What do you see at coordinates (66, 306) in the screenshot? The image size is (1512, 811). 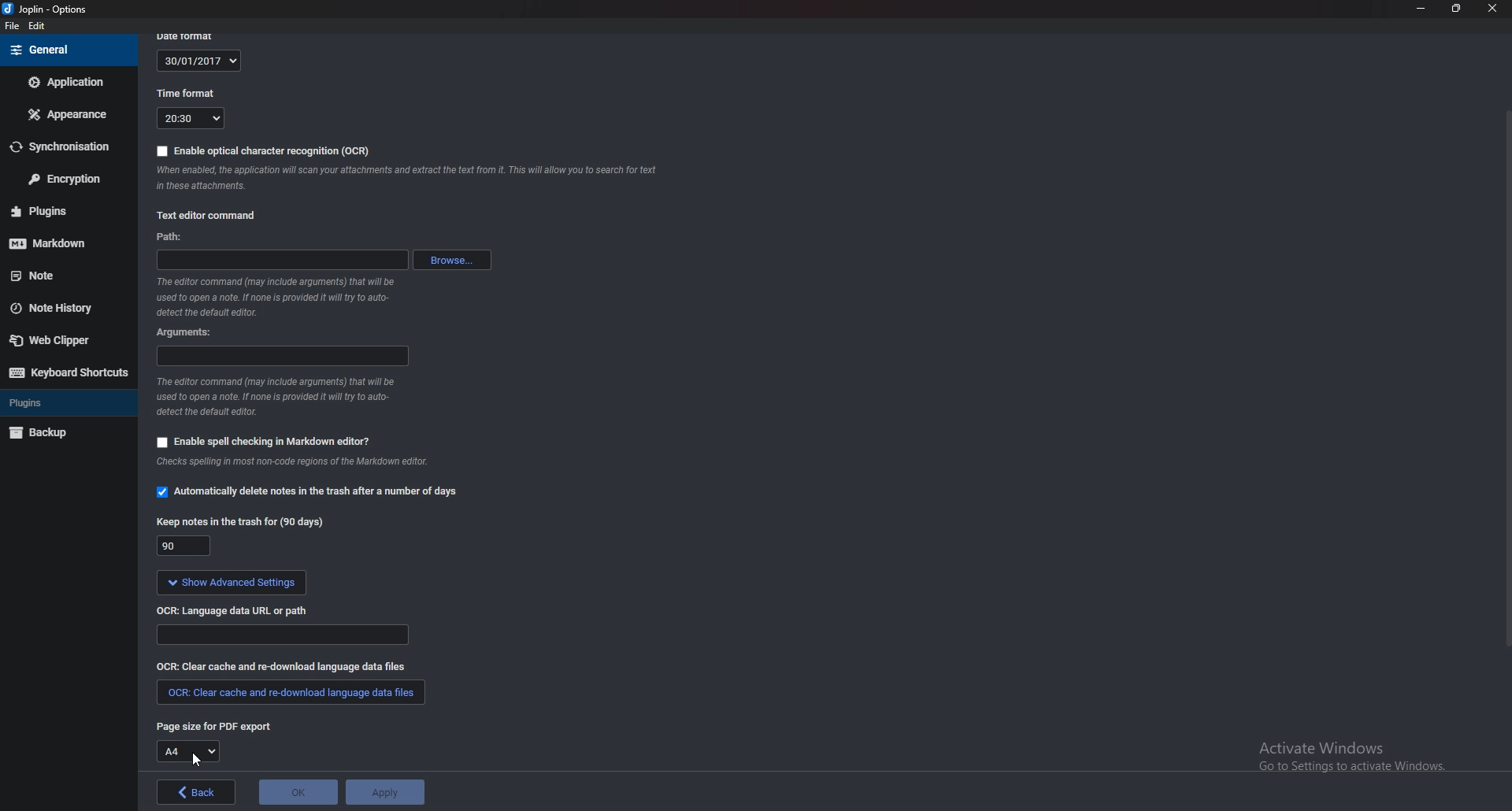 I see `Note history` at bounding box center [66, 306].